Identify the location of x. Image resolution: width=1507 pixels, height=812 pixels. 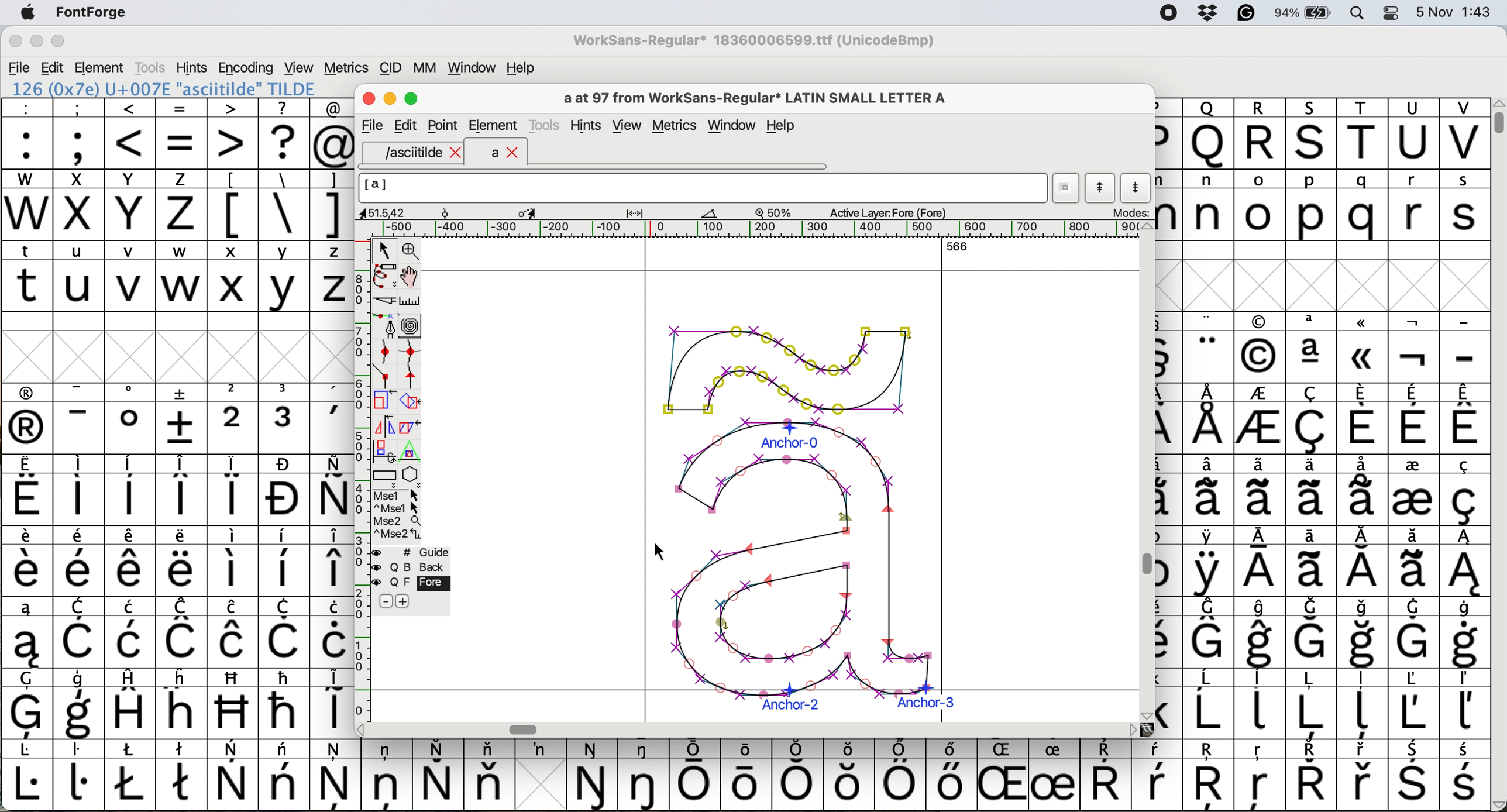
(78, 205).